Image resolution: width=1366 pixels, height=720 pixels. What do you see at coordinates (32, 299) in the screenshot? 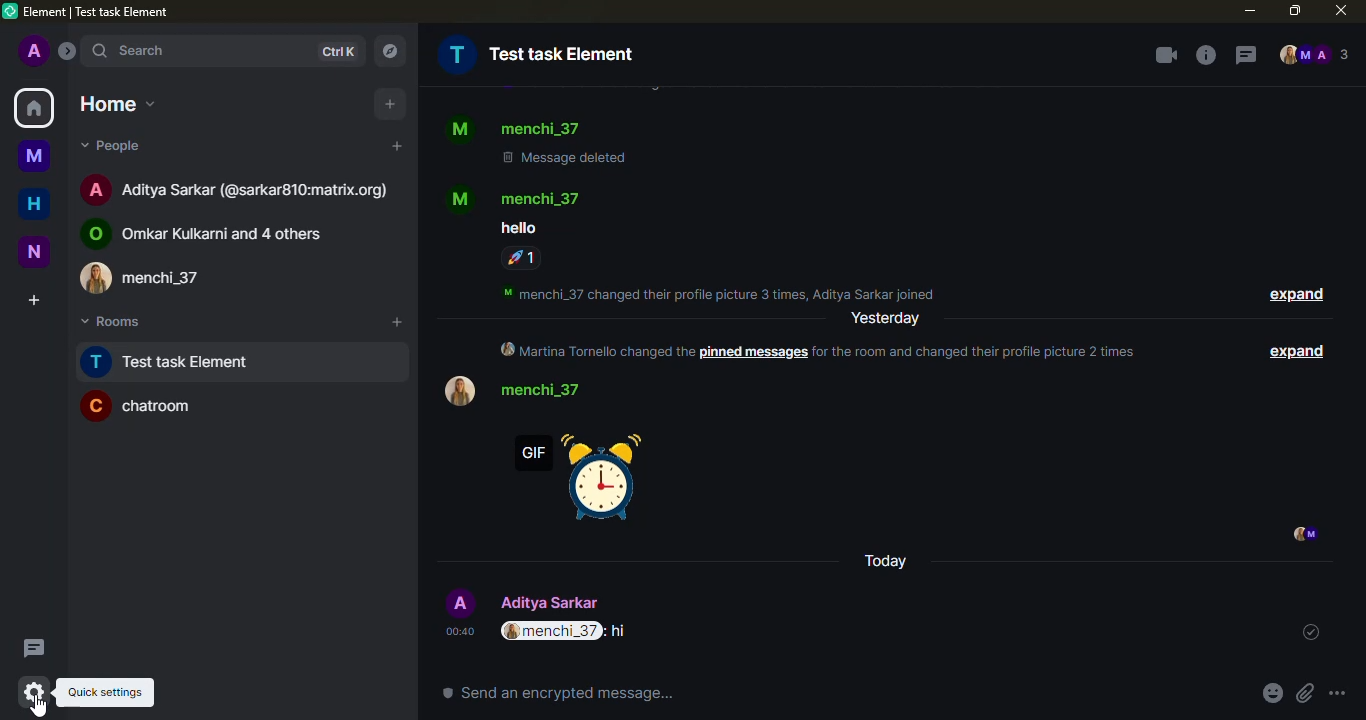
I see `create a space` at bounding box center [32, 299].